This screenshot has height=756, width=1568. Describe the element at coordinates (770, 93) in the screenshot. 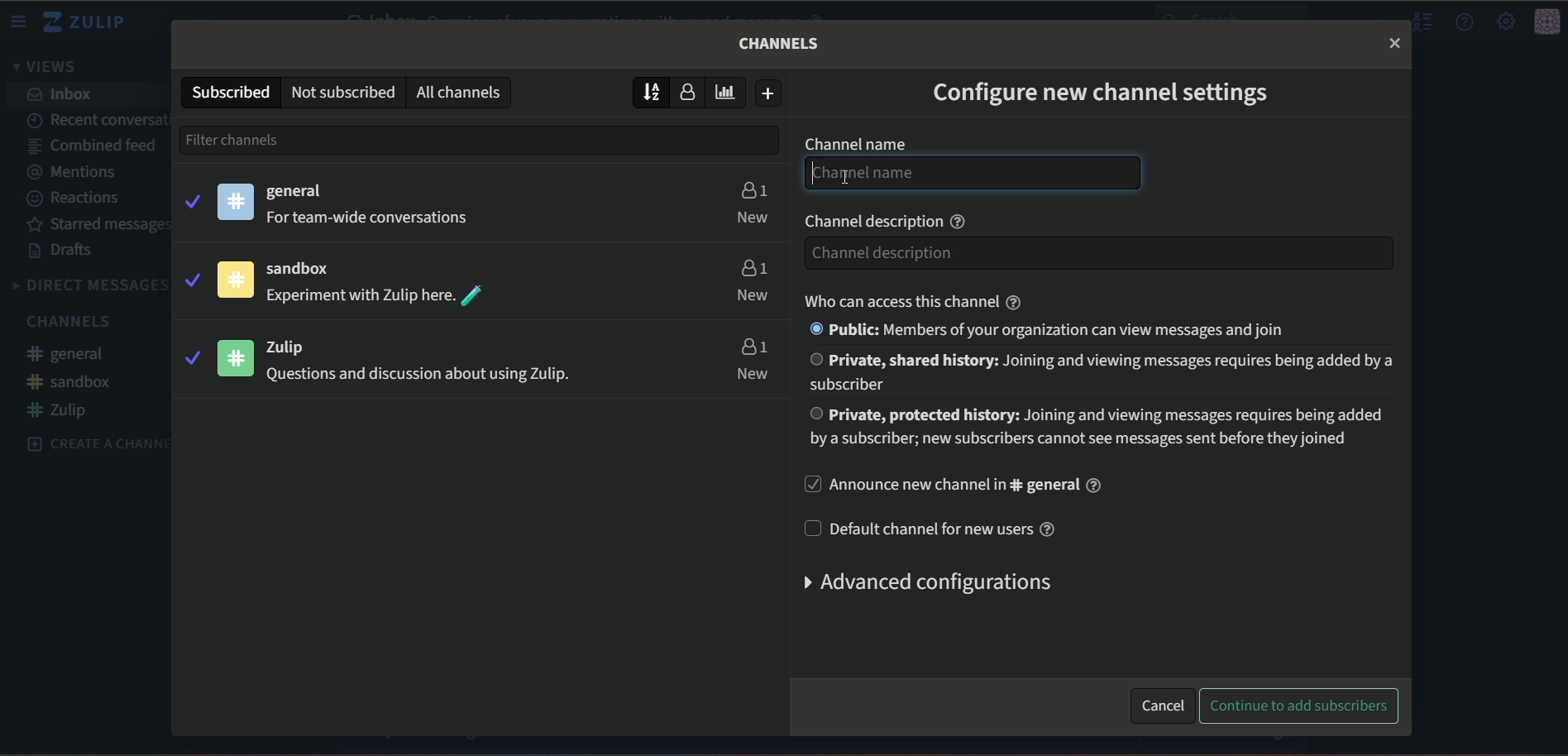

I see `add` at that location.